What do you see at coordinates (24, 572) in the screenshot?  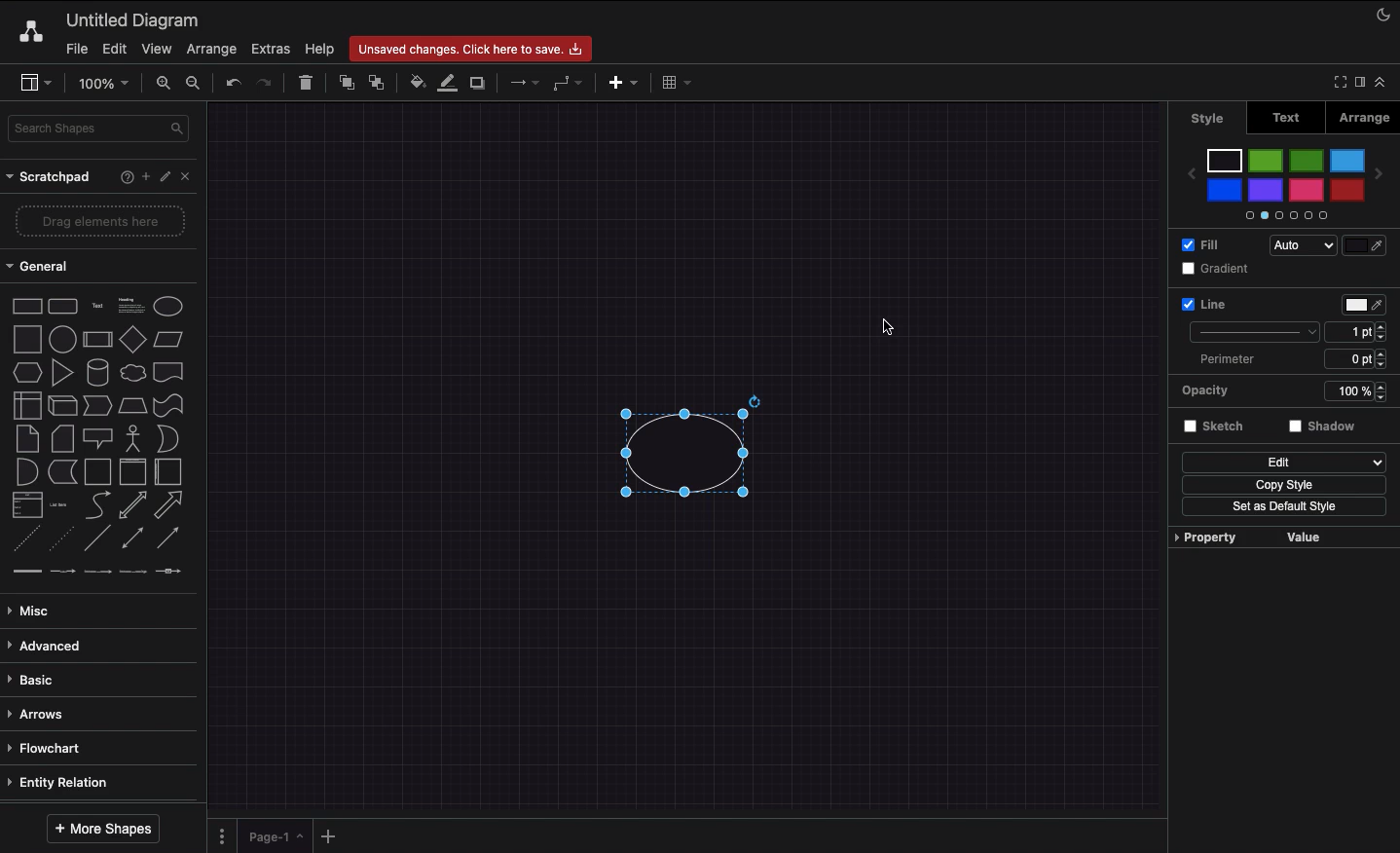 I see `connector 1` at bounding box center [24, 572].